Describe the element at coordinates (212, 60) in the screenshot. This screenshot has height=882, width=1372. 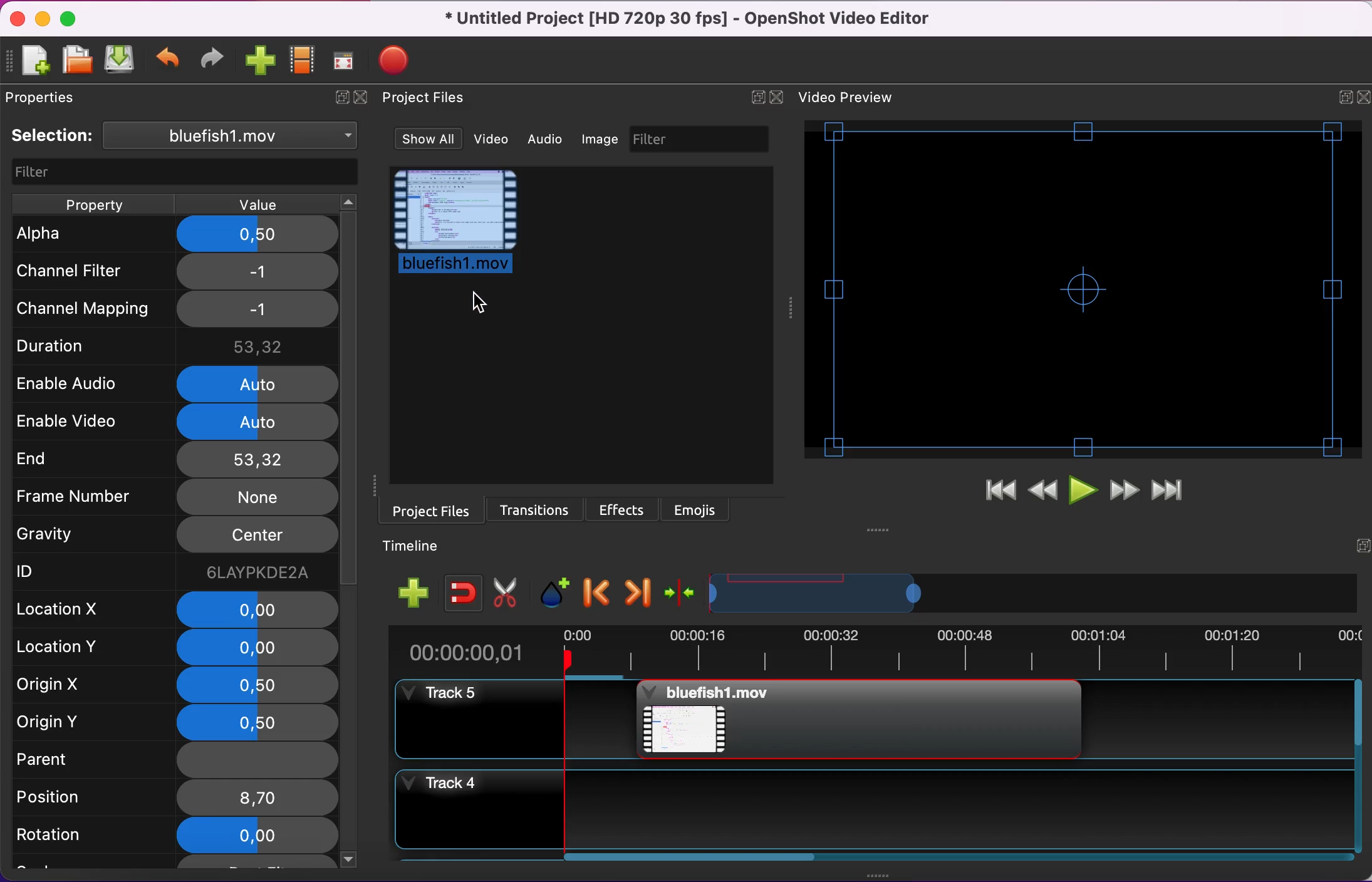
I see `redo` at that location.